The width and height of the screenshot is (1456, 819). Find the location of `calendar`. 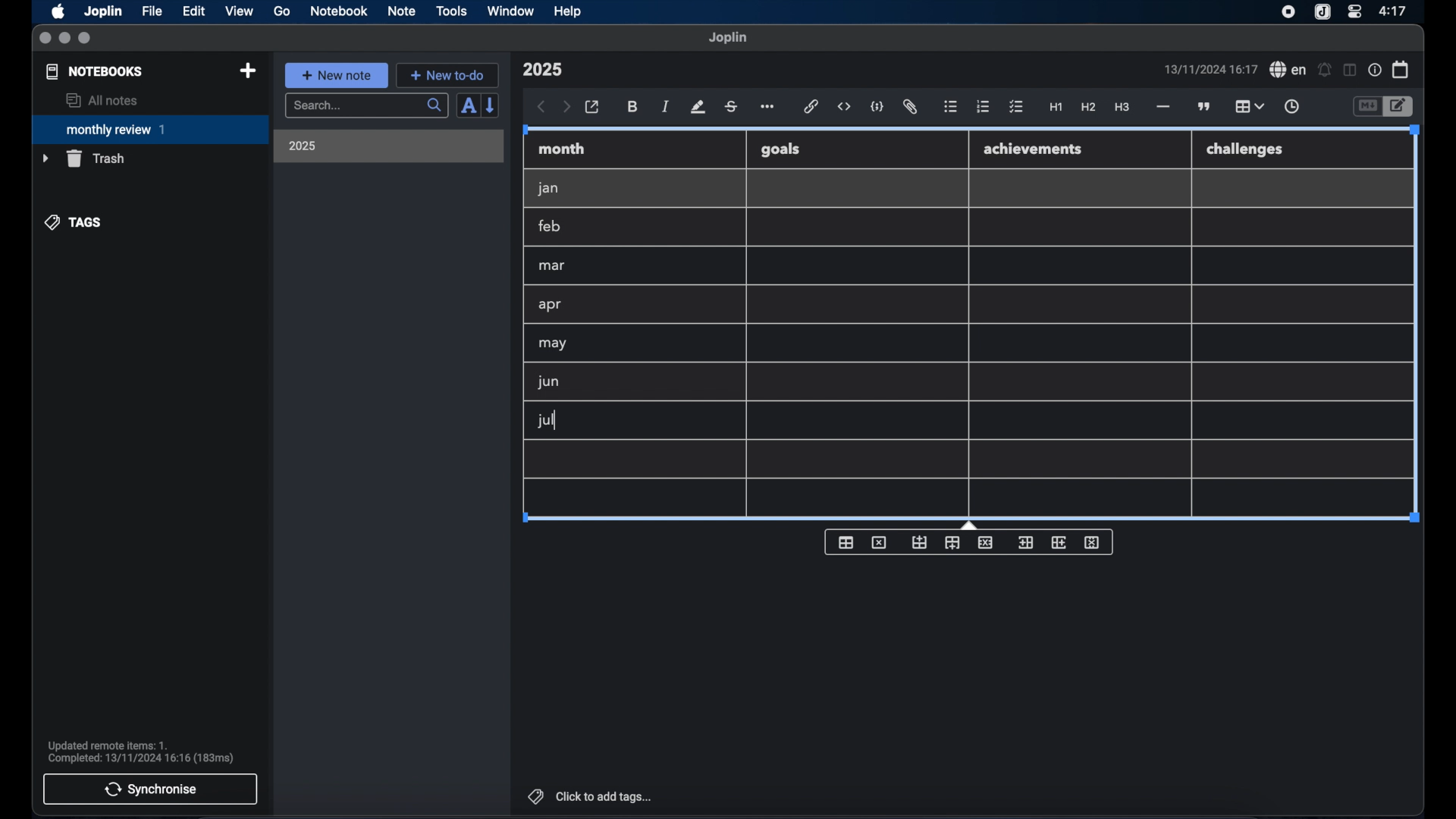

calendar is located at coordinates (1401, 69).